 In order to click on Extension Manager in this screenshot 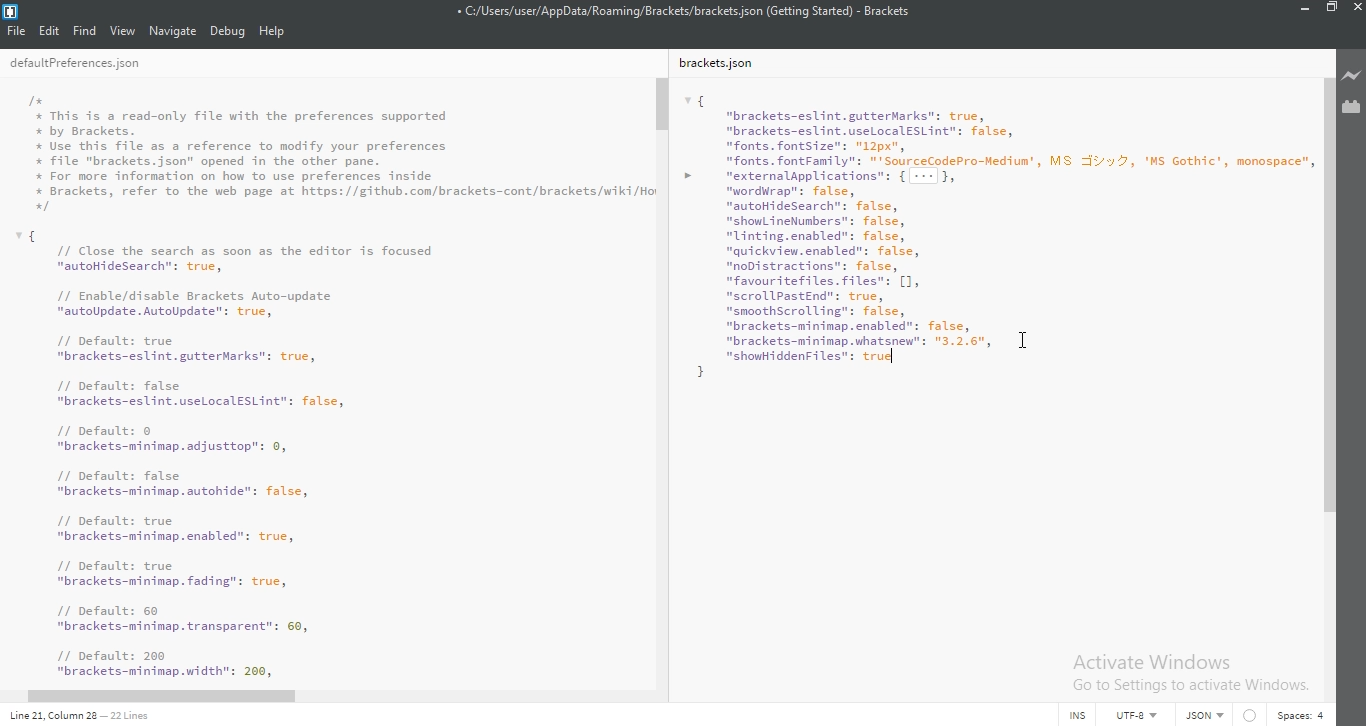, I will do `click(1353, 106)`.